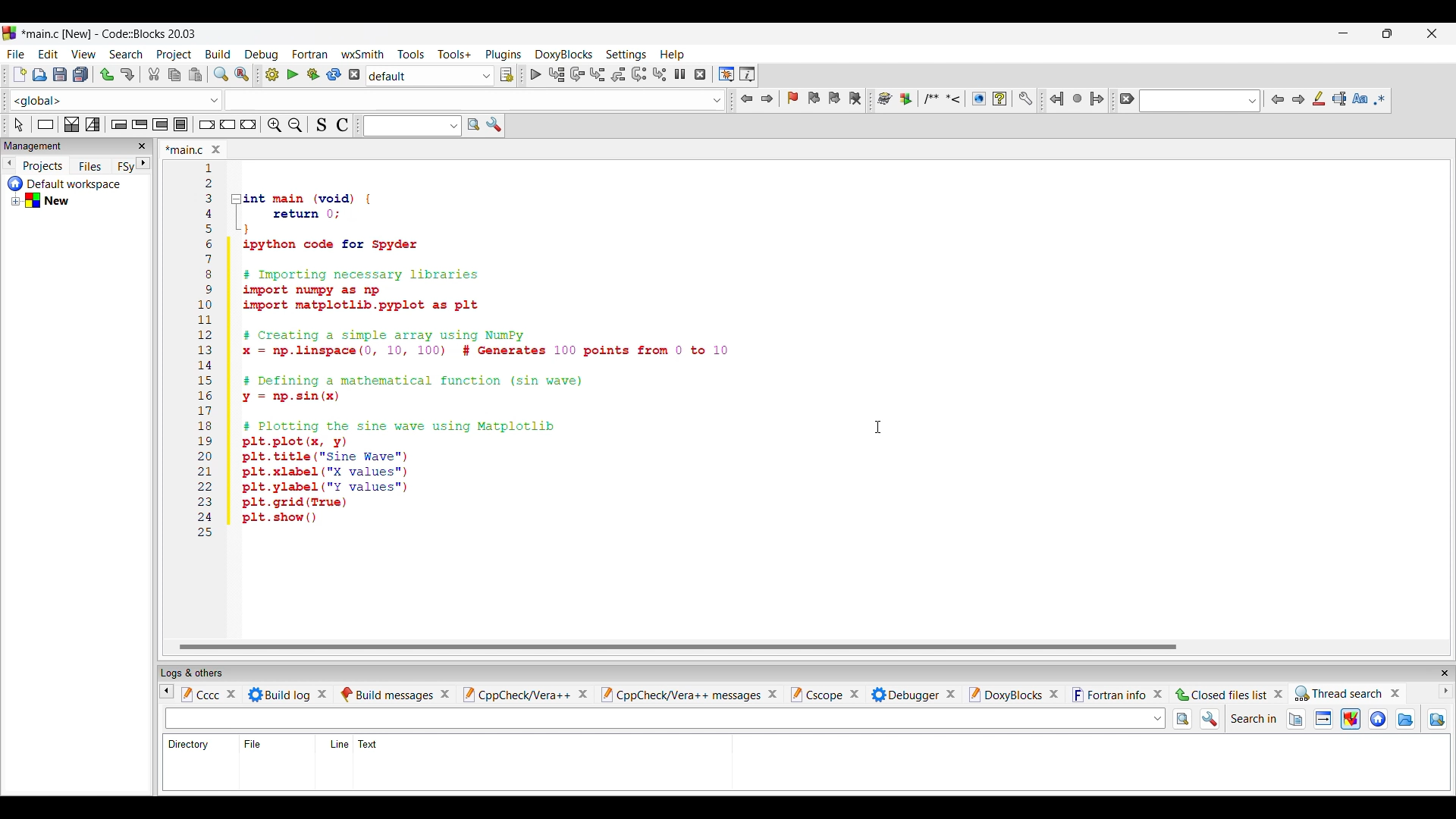 Image resolution: width=1456 pixels, height=819 pixels. What do you see at coordinates (155, 74) in the screenshot?
I see `Cut` at bounding box center [155, 74].